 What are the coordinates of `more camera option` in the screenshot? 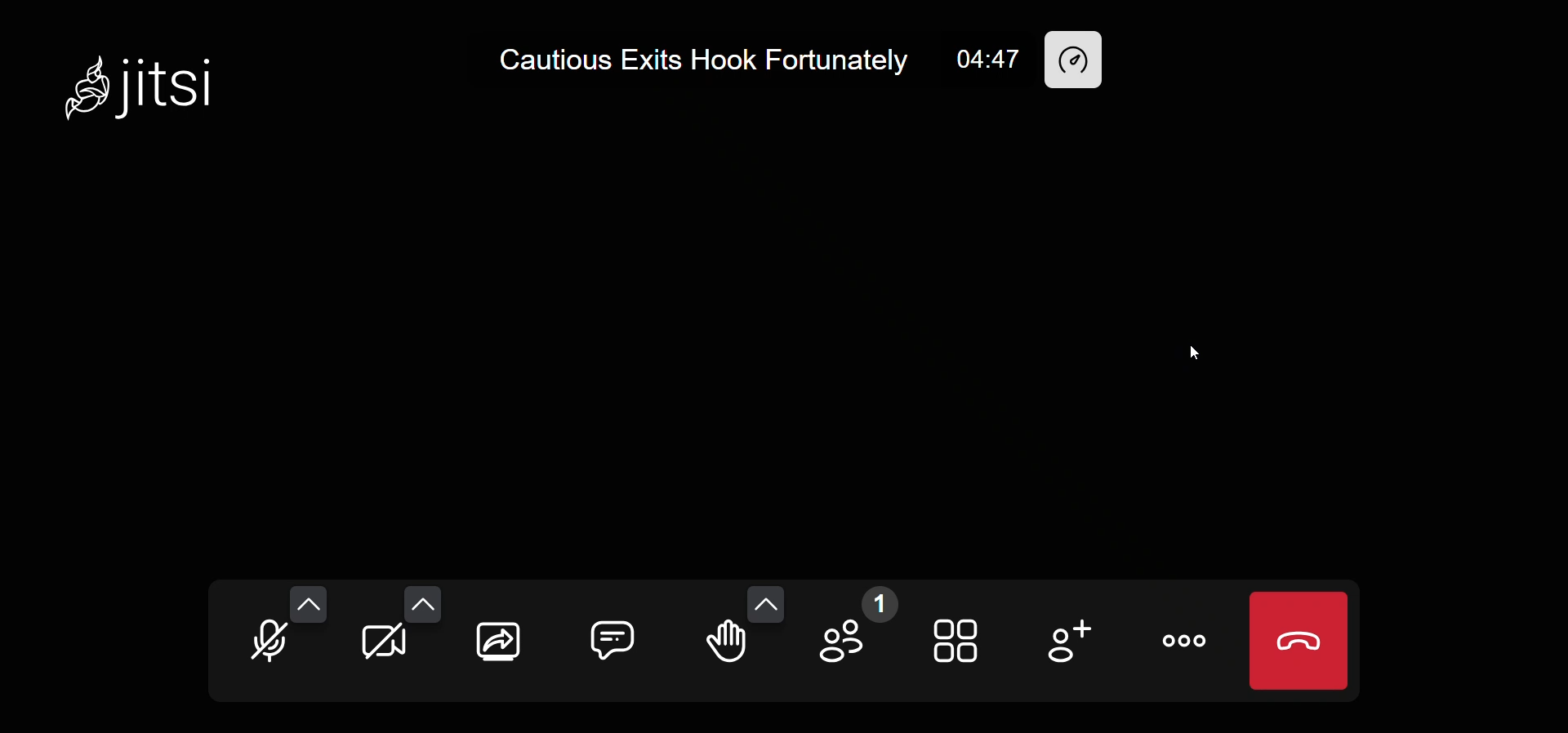 It's located at (425, 606).